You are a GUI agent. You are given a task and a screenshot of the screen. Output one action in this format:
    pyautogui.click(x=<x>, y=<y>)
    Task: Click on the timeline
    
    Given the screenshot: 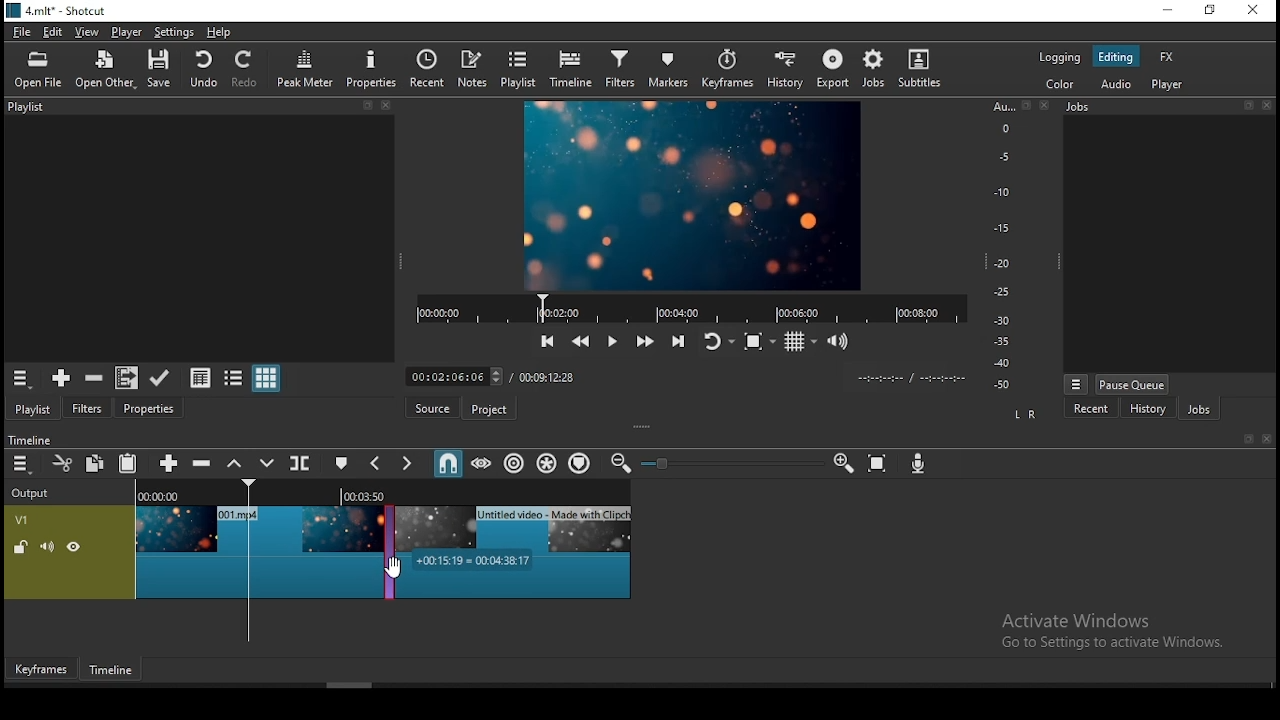 What is the action you would take?
    pyautogui.click(x=111, y=670)
    